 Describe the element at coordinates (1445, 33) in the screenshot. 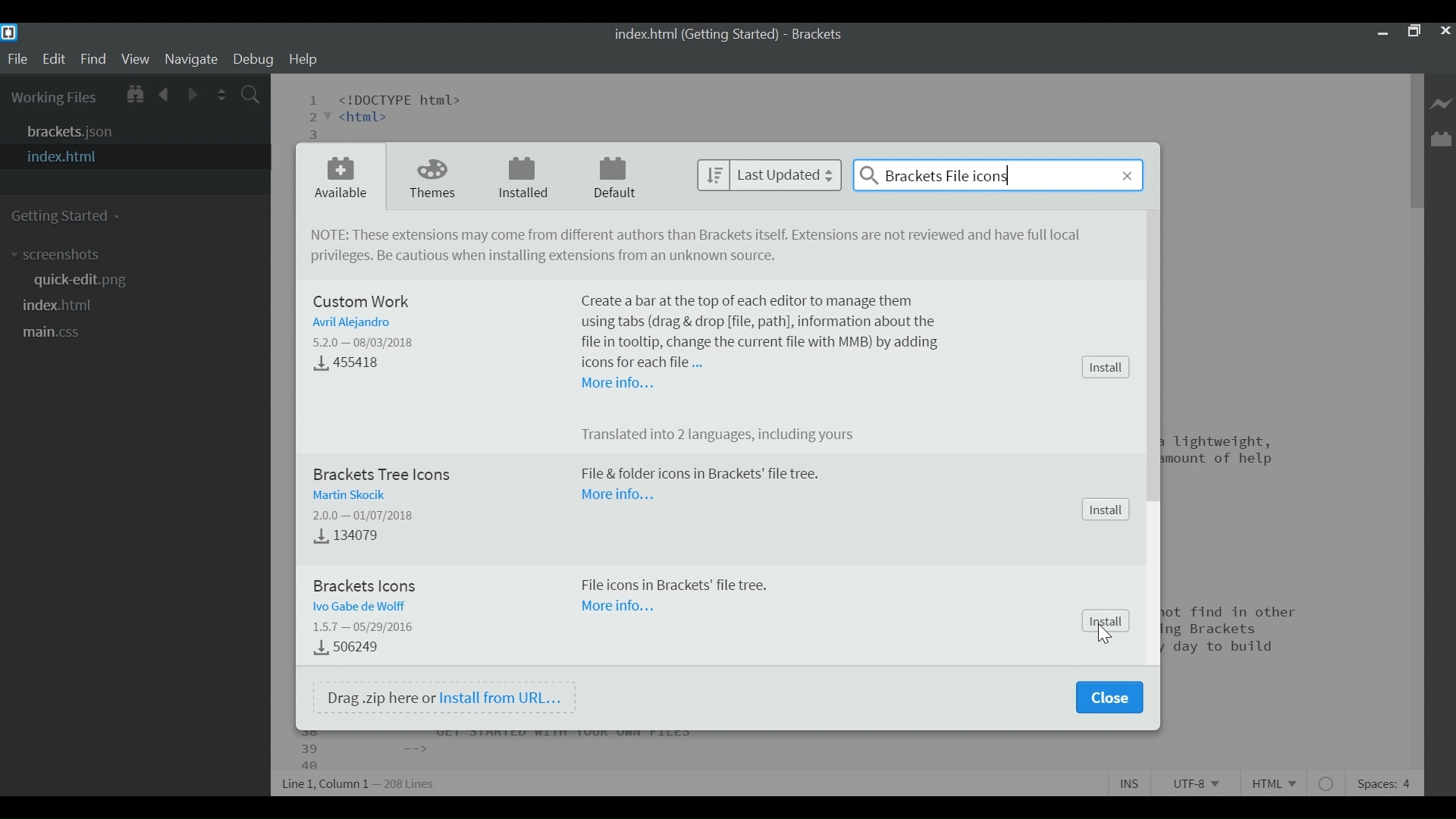

I see `Close` at that location.